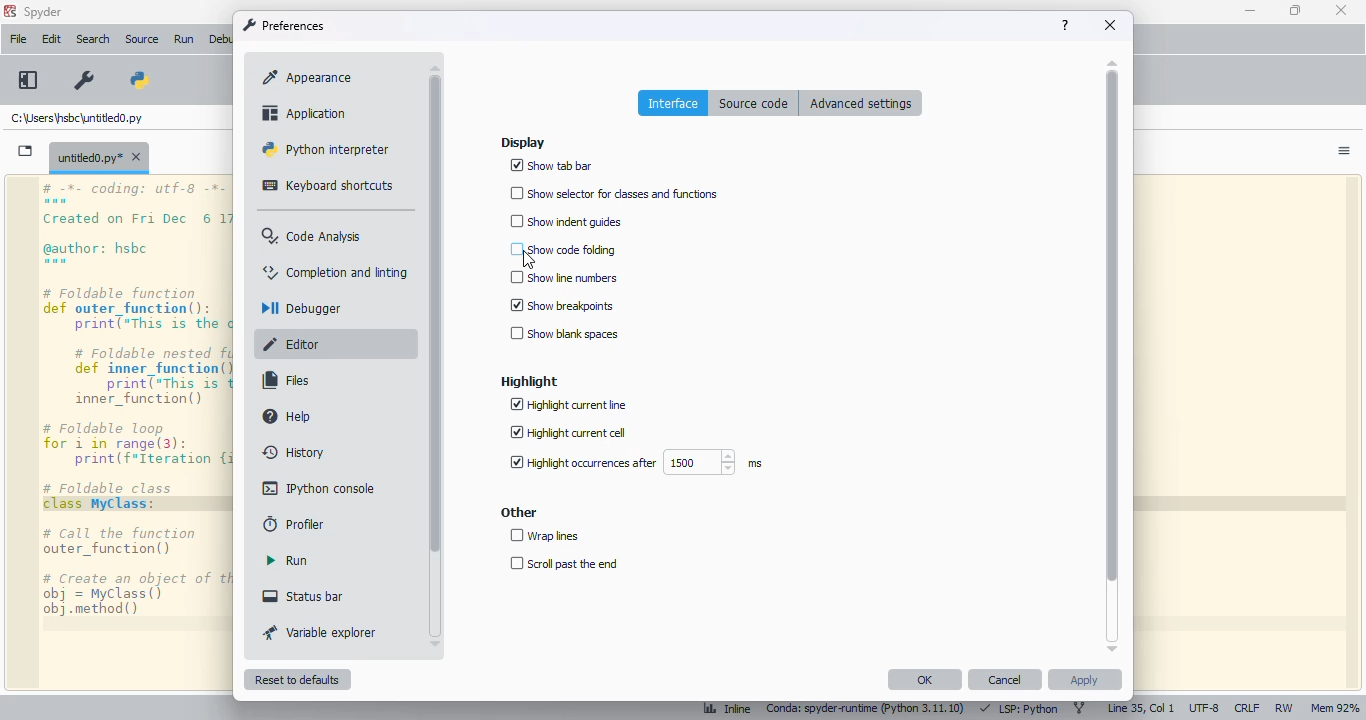  Describe the element at coordinates (138, 80) in the screenshot. I see `PYTHONPATH manager` at that location.